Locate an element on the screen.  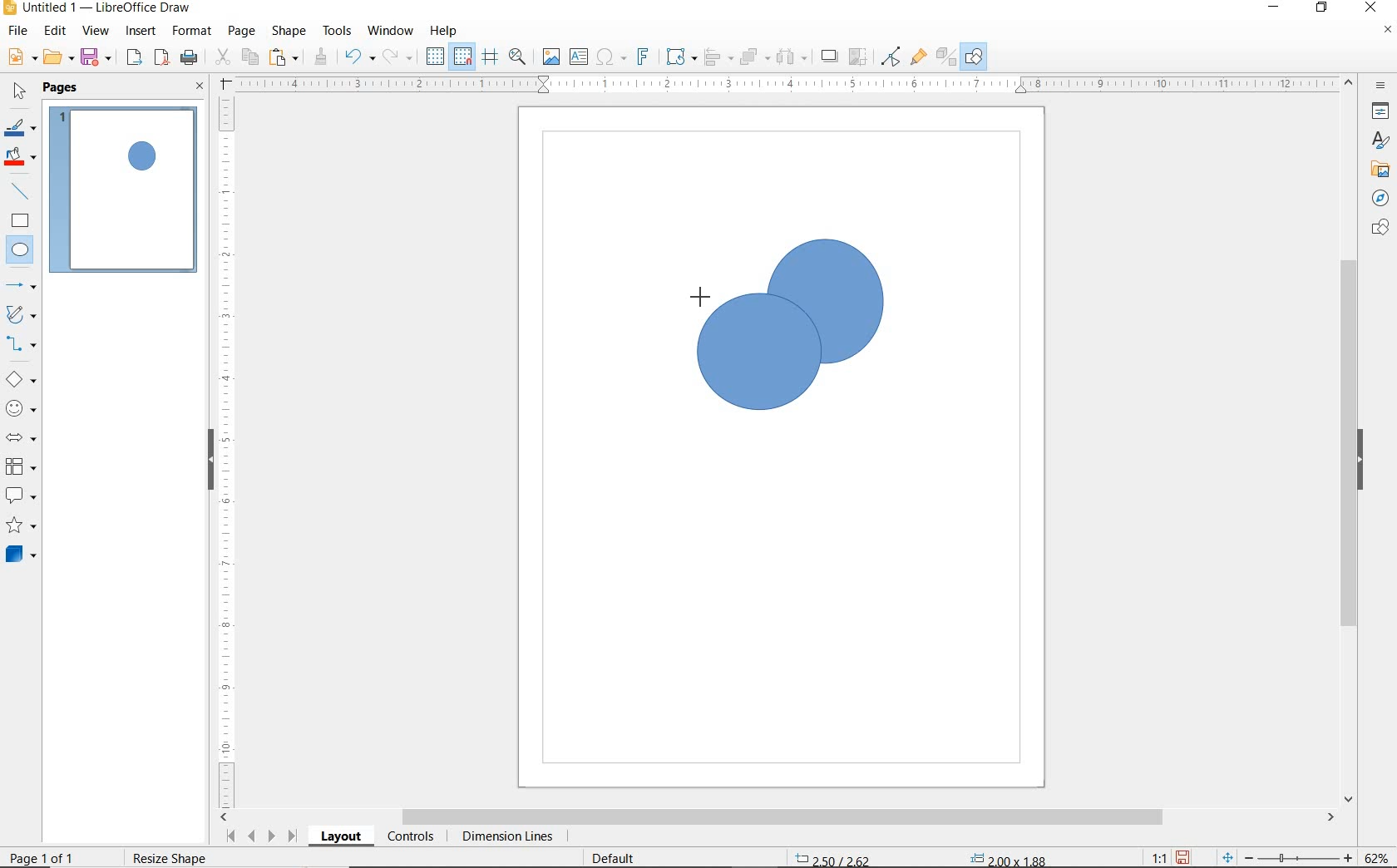
INSERT is located at coordinates (143, 32).